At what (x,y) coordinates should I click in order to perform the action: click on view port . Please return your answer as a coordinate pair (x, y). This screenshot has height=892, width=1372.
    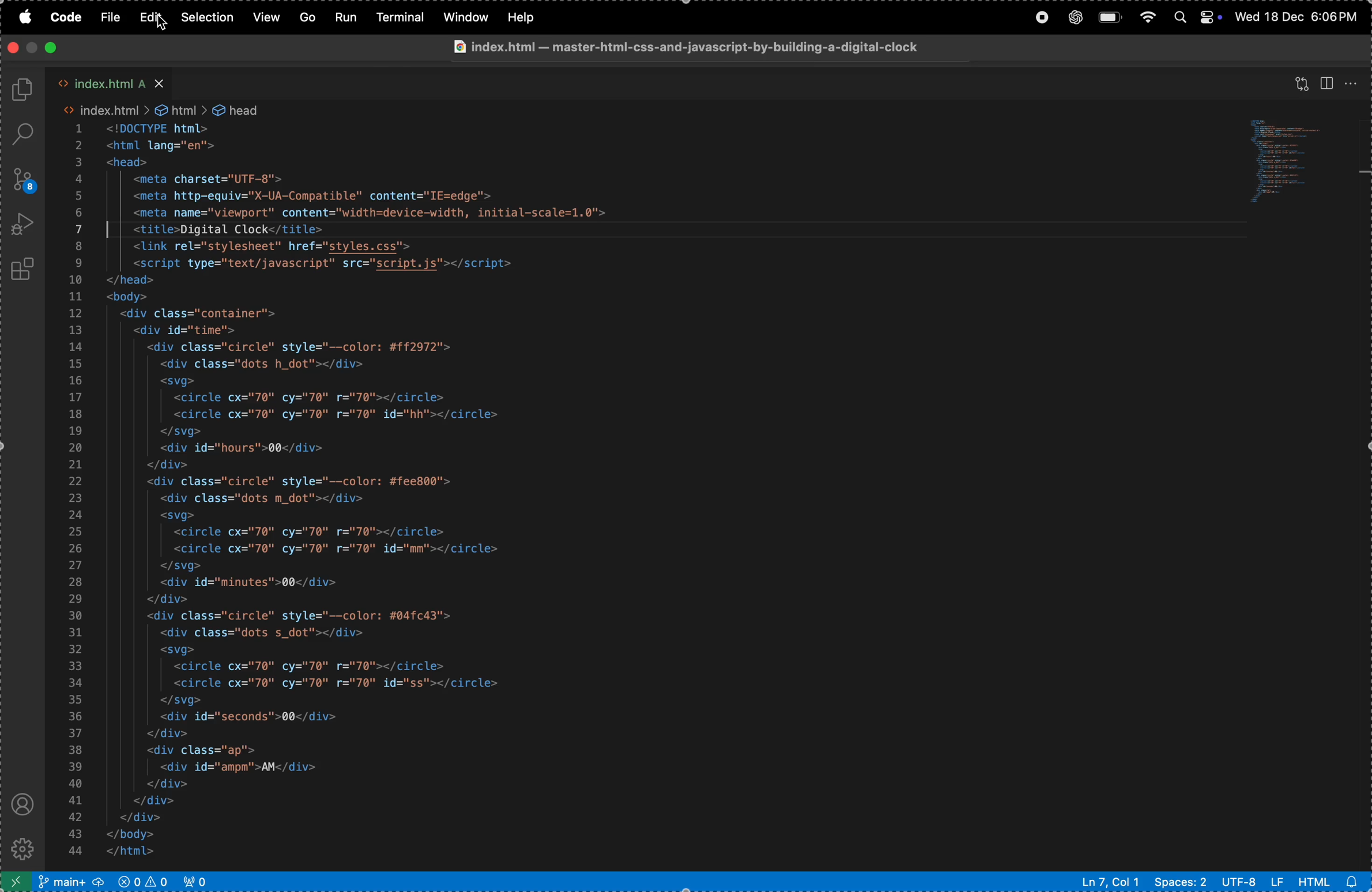
    Looking at the image, I should click on (200, 881).